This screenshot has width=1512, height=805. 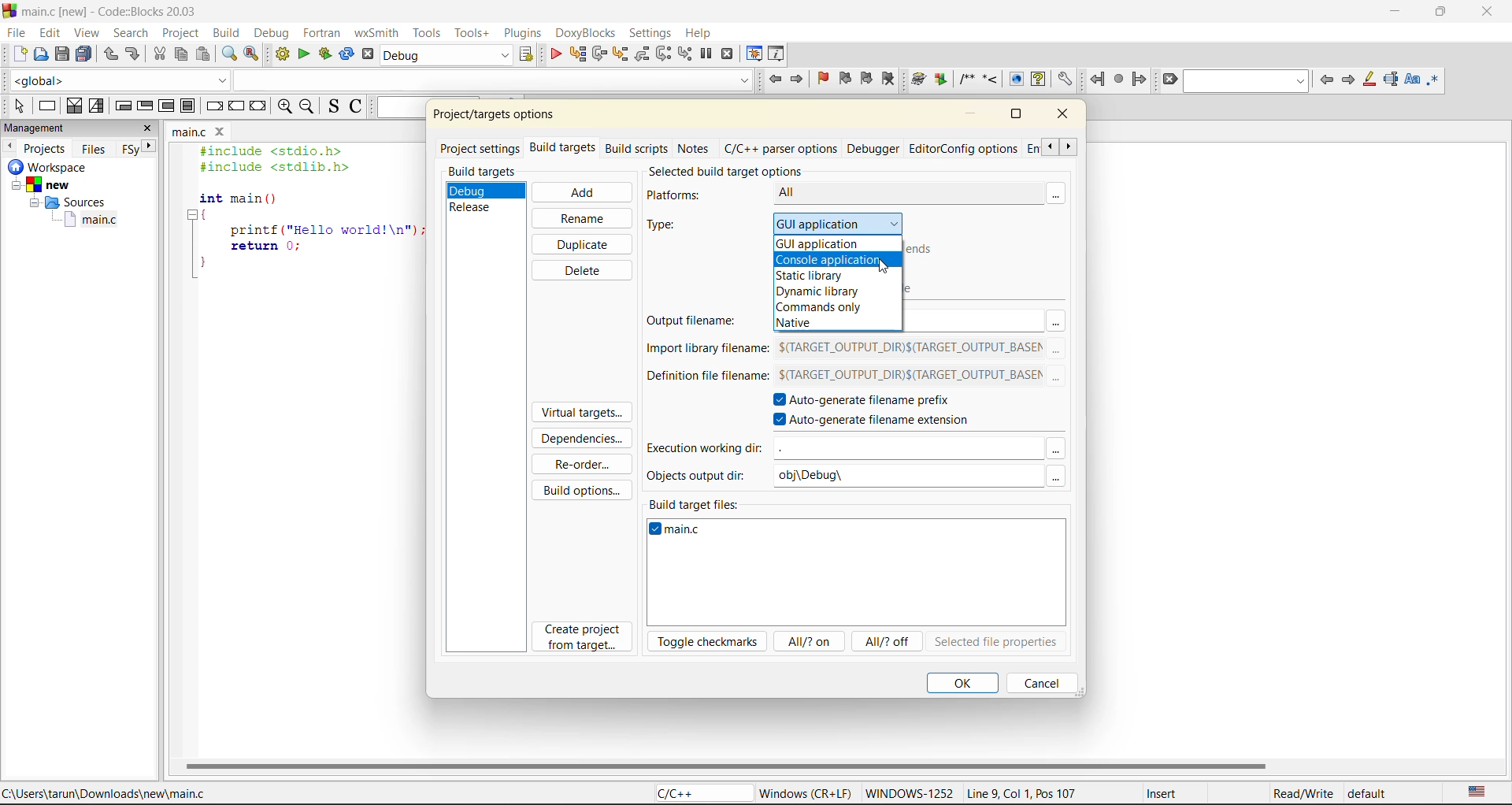 I want to click on clear bookmark, so click(x=888, y=78).